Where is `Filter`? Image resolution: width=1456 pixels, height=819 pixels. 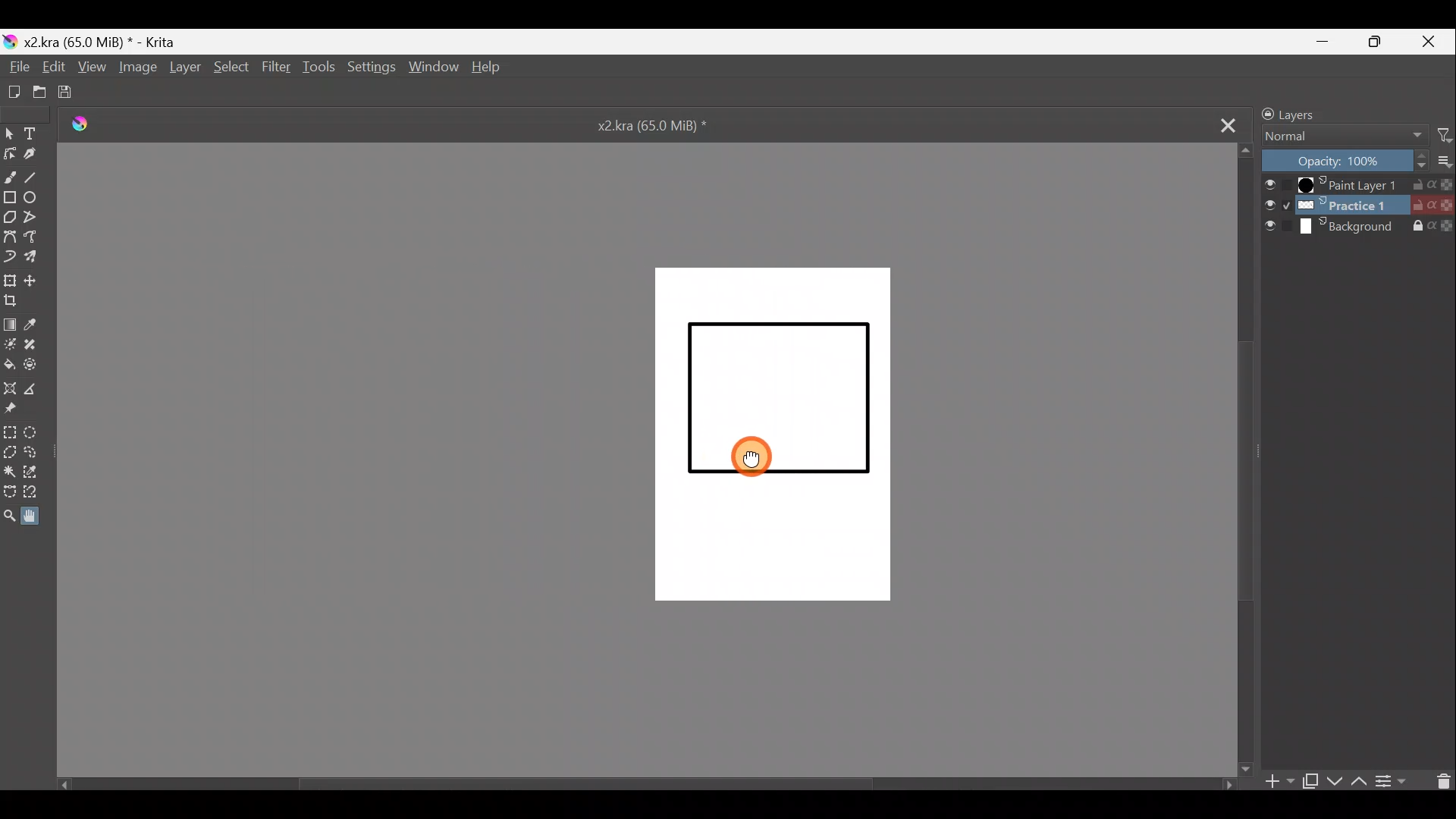 Filter is located at coordinates (1439, 138).